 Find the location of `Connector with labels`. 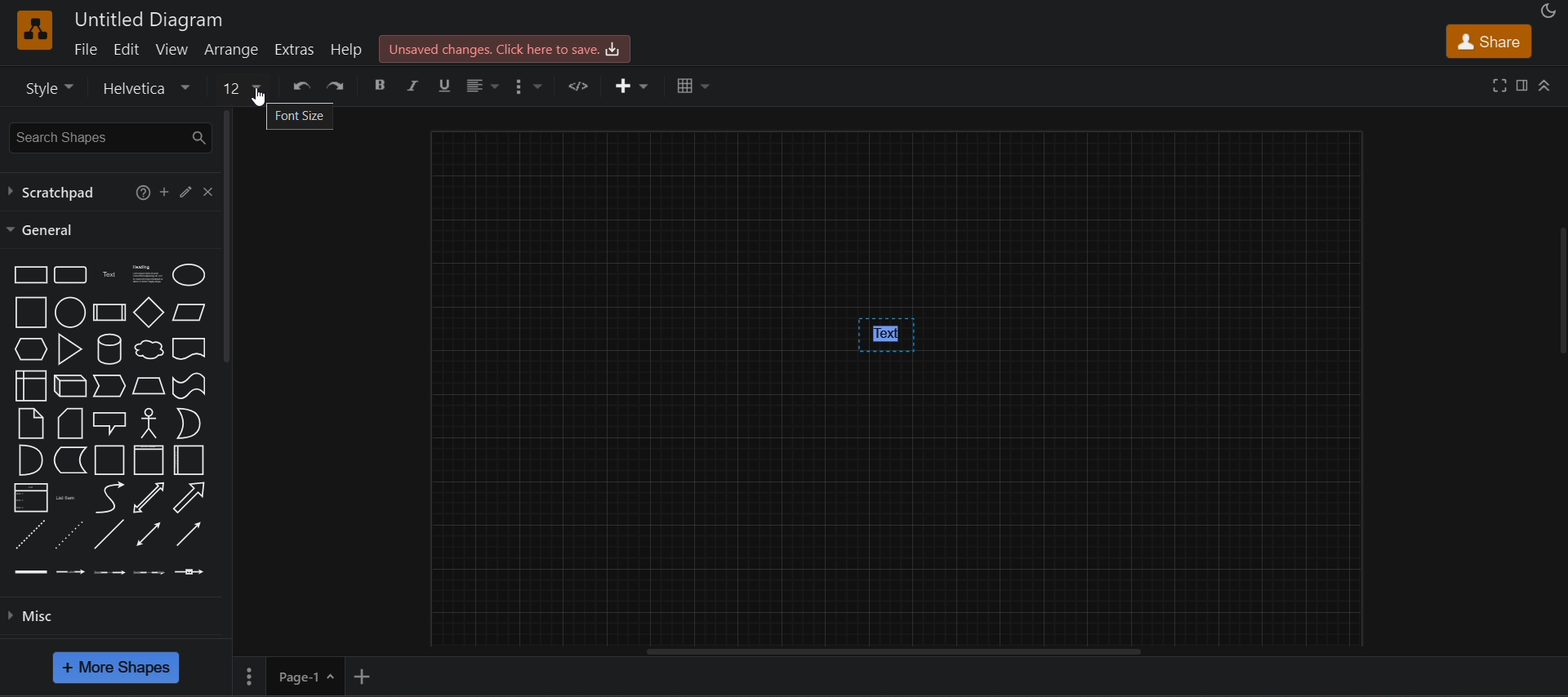

Connector with labels is located at coordinates (70, 571).